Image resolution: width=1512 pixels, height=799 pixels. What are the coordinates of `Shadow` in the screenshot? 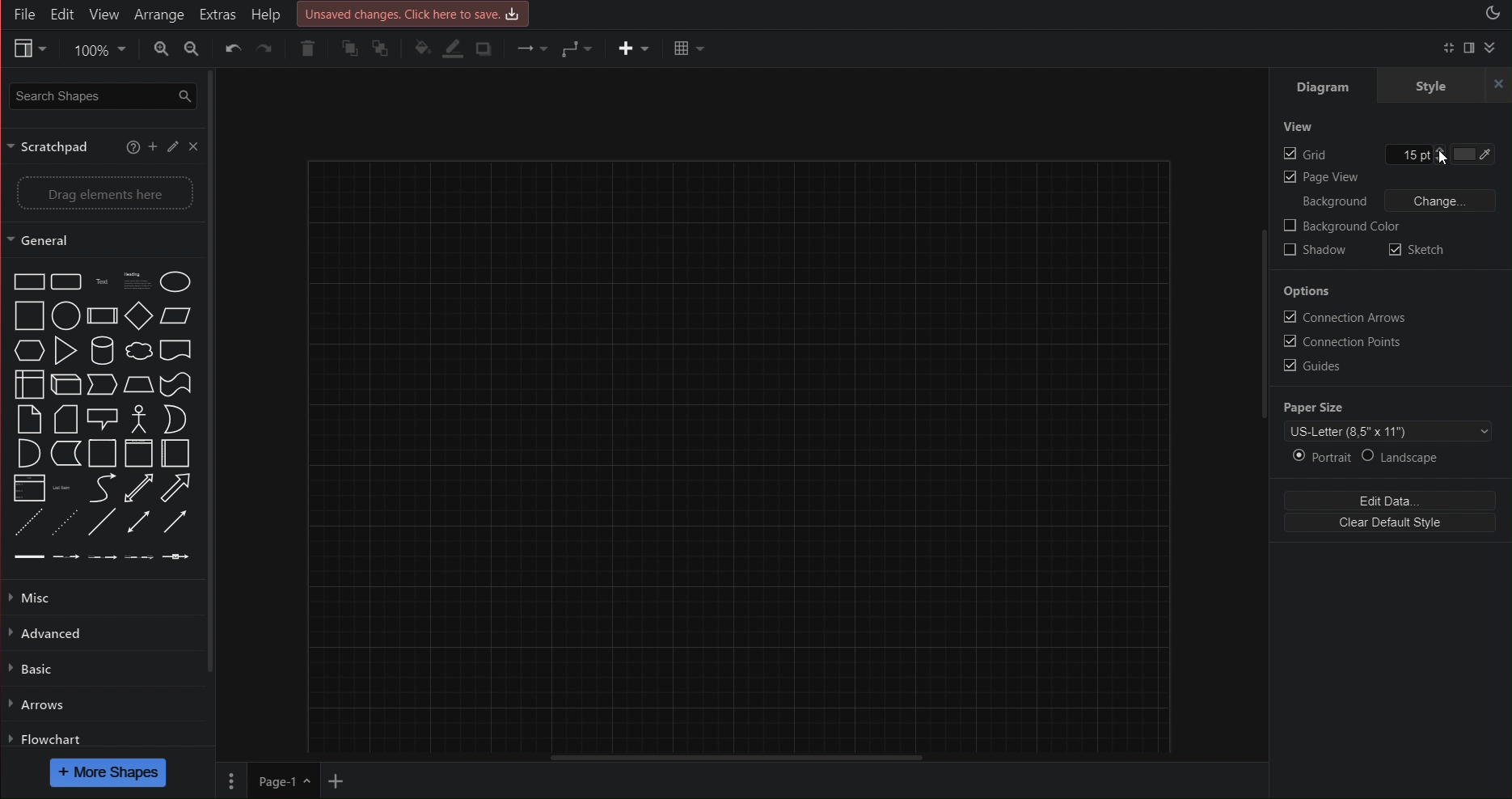 It's located at (1313, 253).